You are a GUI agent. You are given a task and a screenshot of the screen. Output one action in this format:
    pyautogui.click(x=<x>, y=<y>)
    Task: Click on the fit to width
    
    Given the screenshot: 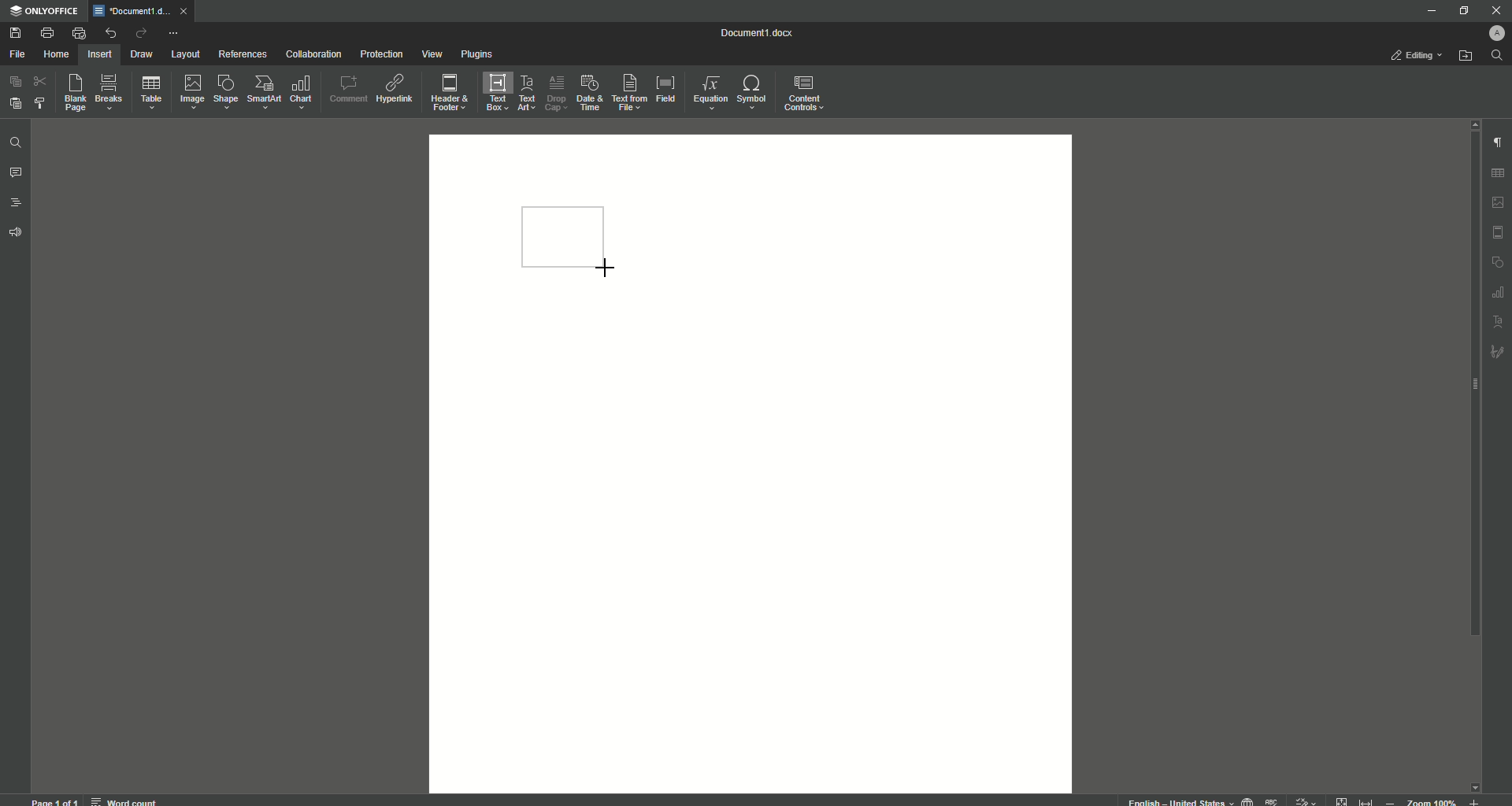 What is the action you would take?
    pyautogui.click(x=1369, y=800)
    